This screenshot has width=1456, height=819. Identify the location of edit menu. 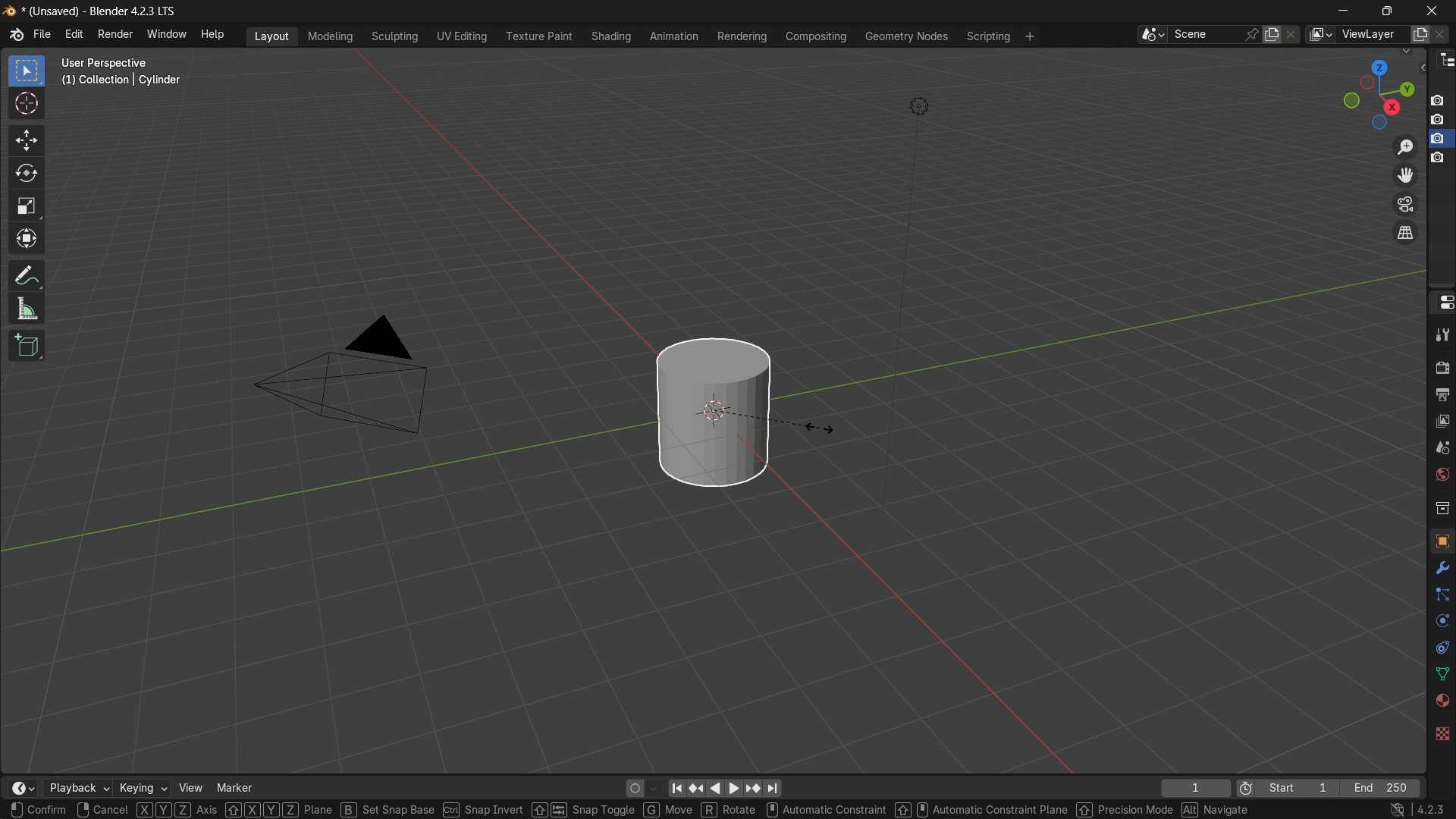
(75, 36).